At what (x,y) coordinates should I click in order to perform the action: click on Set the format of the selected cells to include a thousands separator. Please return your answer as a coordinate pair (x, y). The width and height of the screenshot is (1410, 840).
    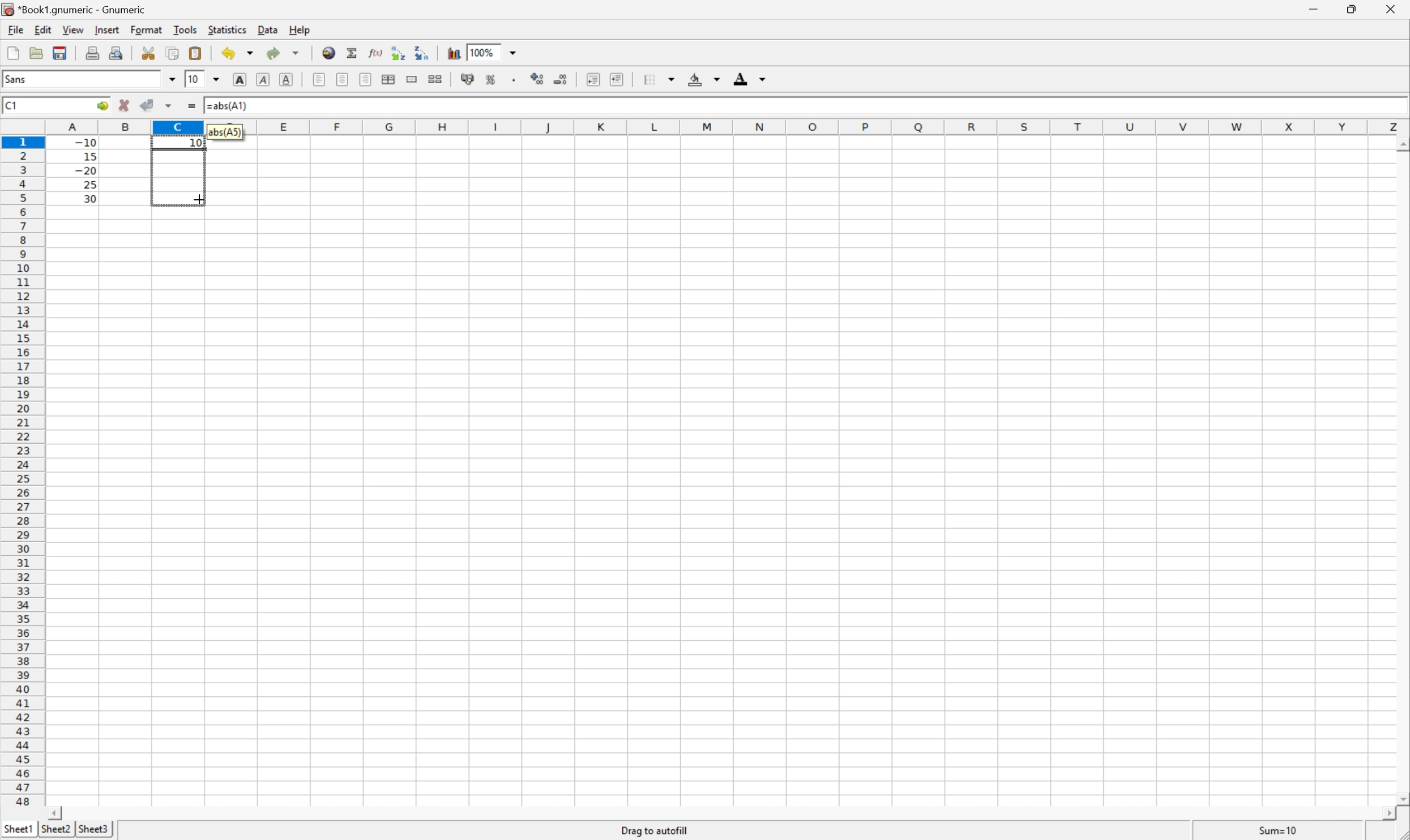
    Looking at the image, I should click on (518, 82).